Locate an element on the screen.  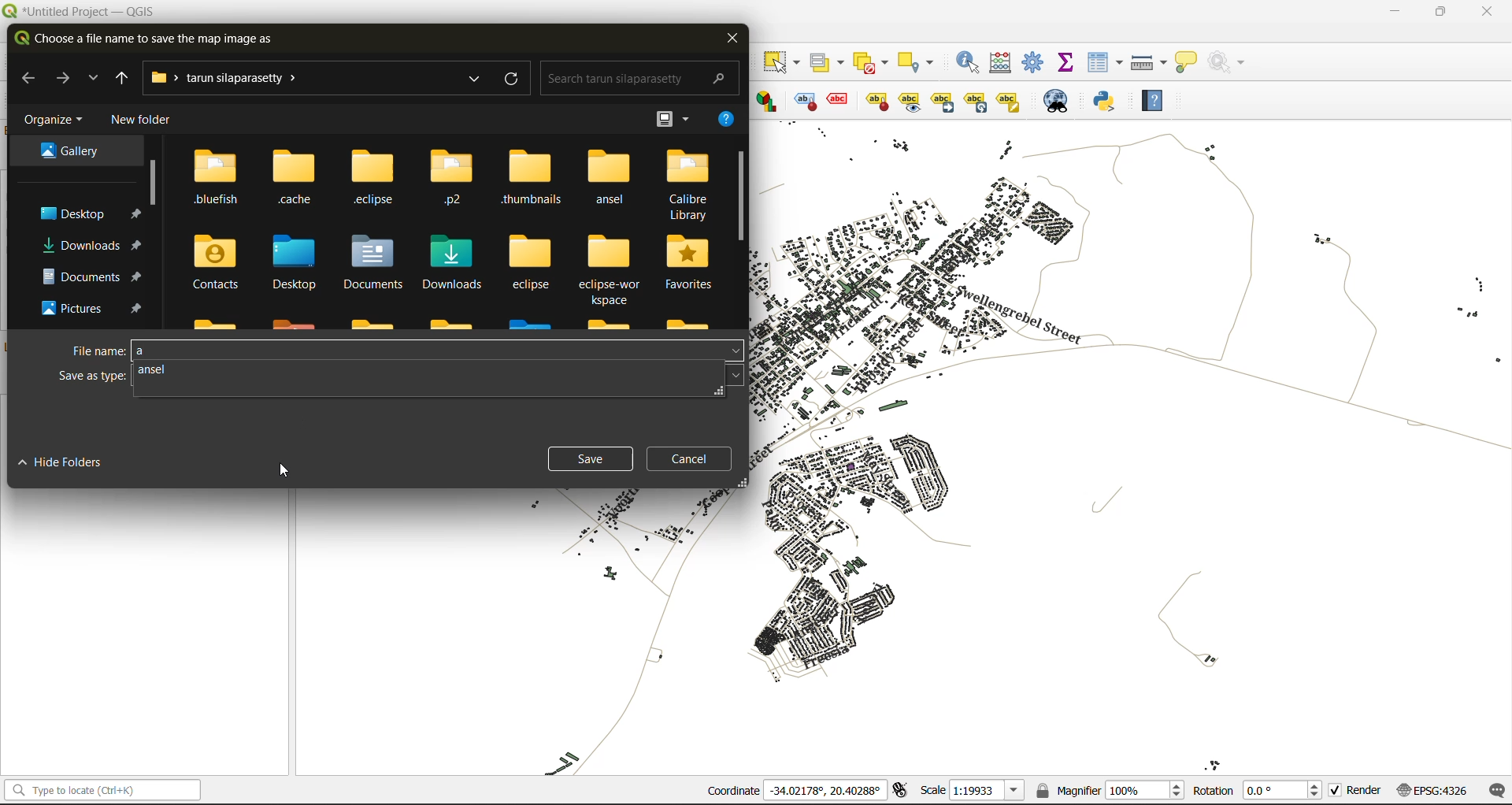
log messages is located at coordinates (1494, 788).